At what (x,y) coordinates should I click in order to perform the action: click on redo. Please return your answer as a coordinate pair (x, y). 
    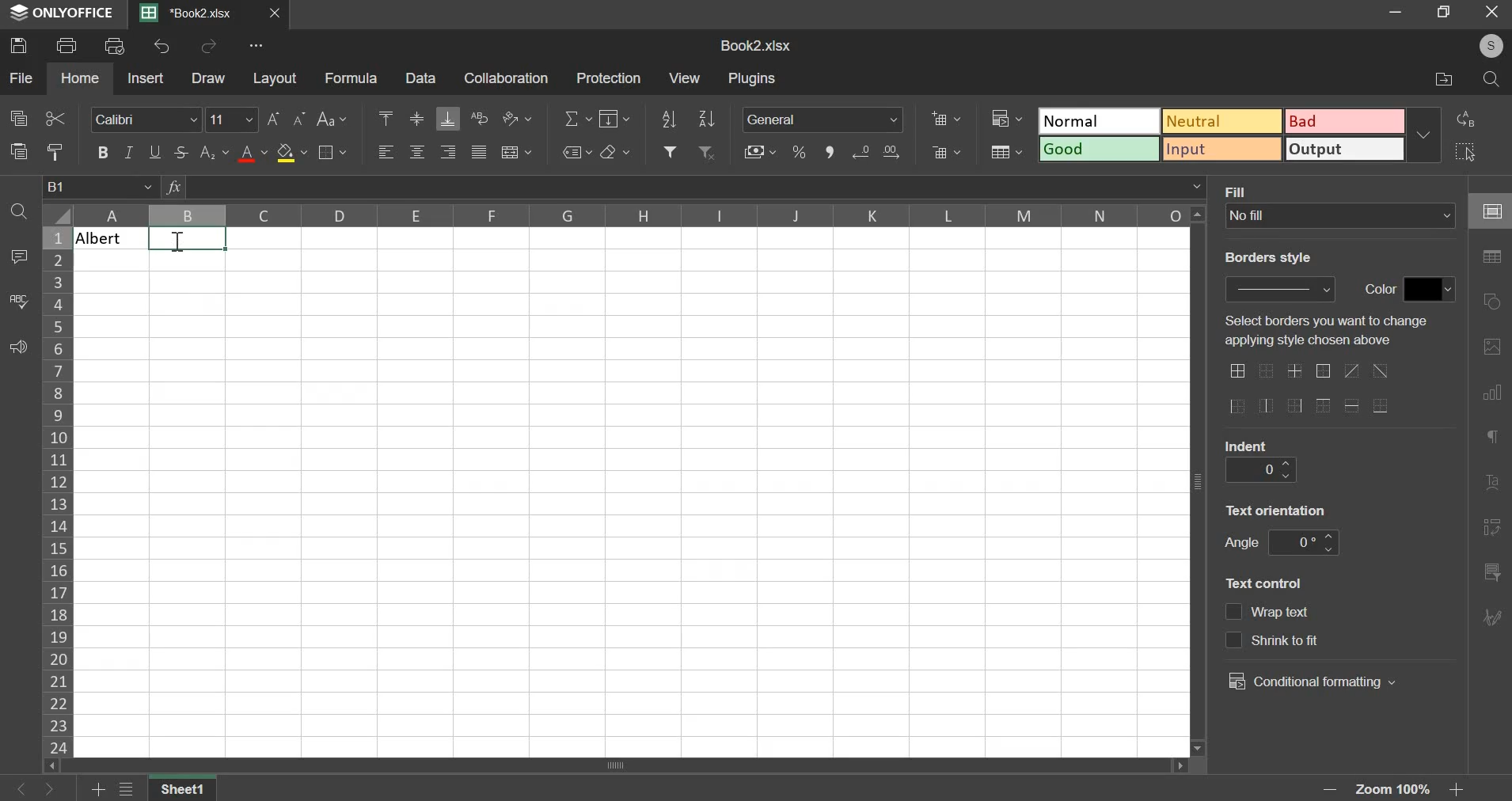
    Looking at the image, I should click on (211, 46).